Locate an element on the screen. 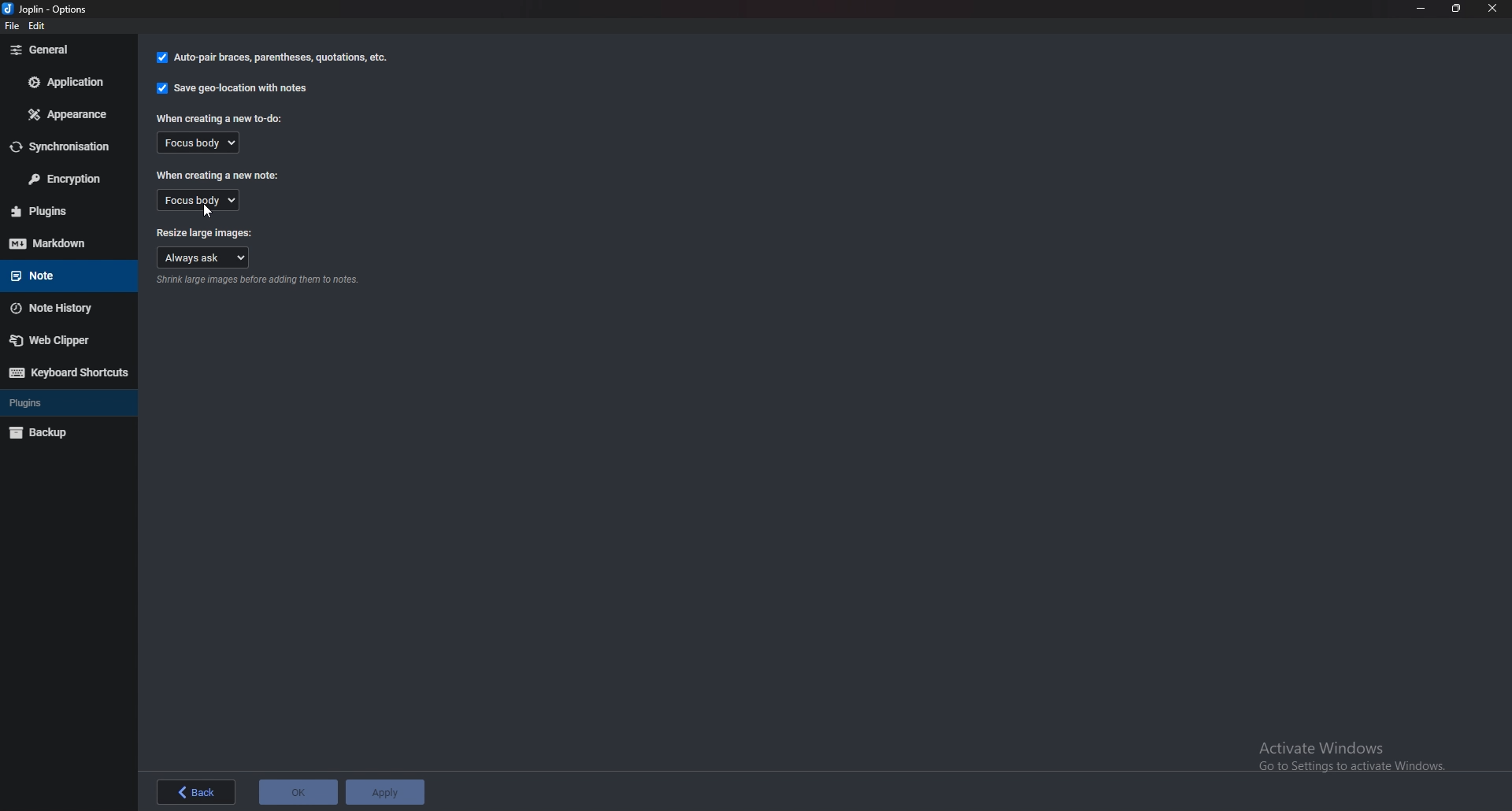  Focus body is located at coordinates (206, 143).